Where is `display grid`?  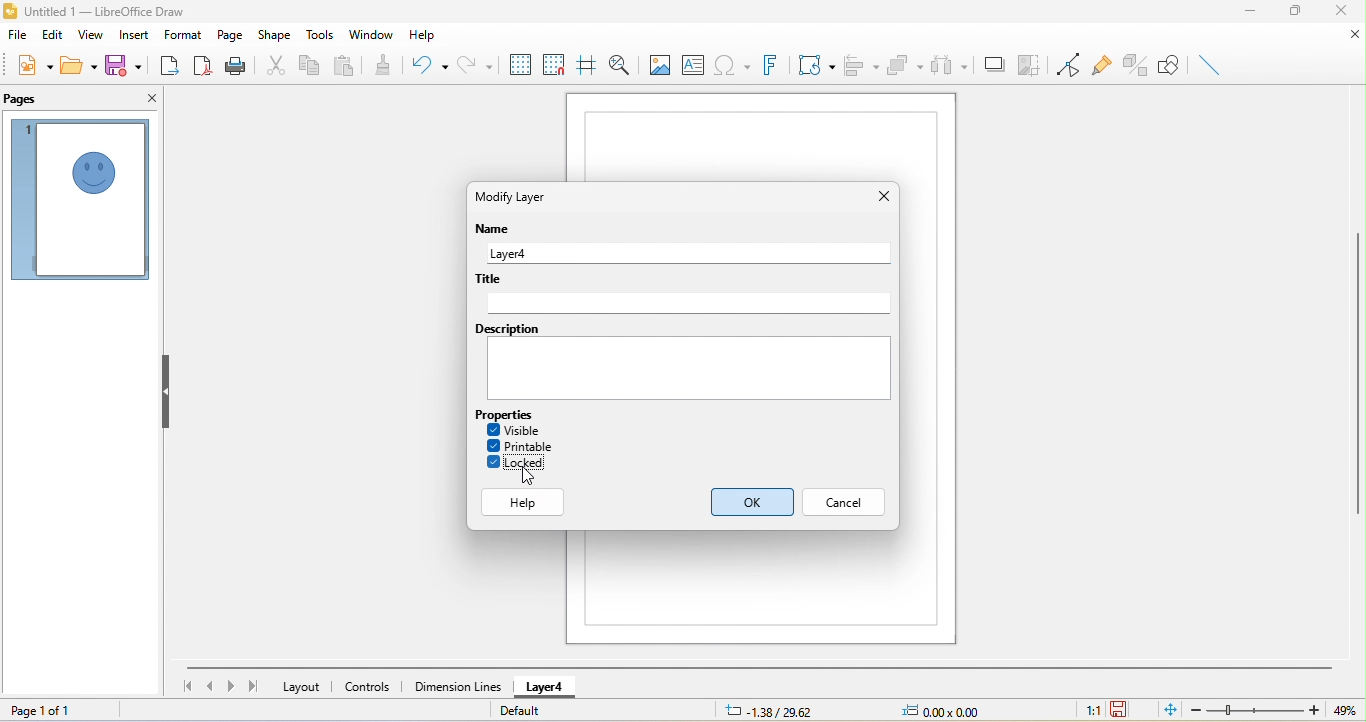 display grid is located at coordinates (522, 65).